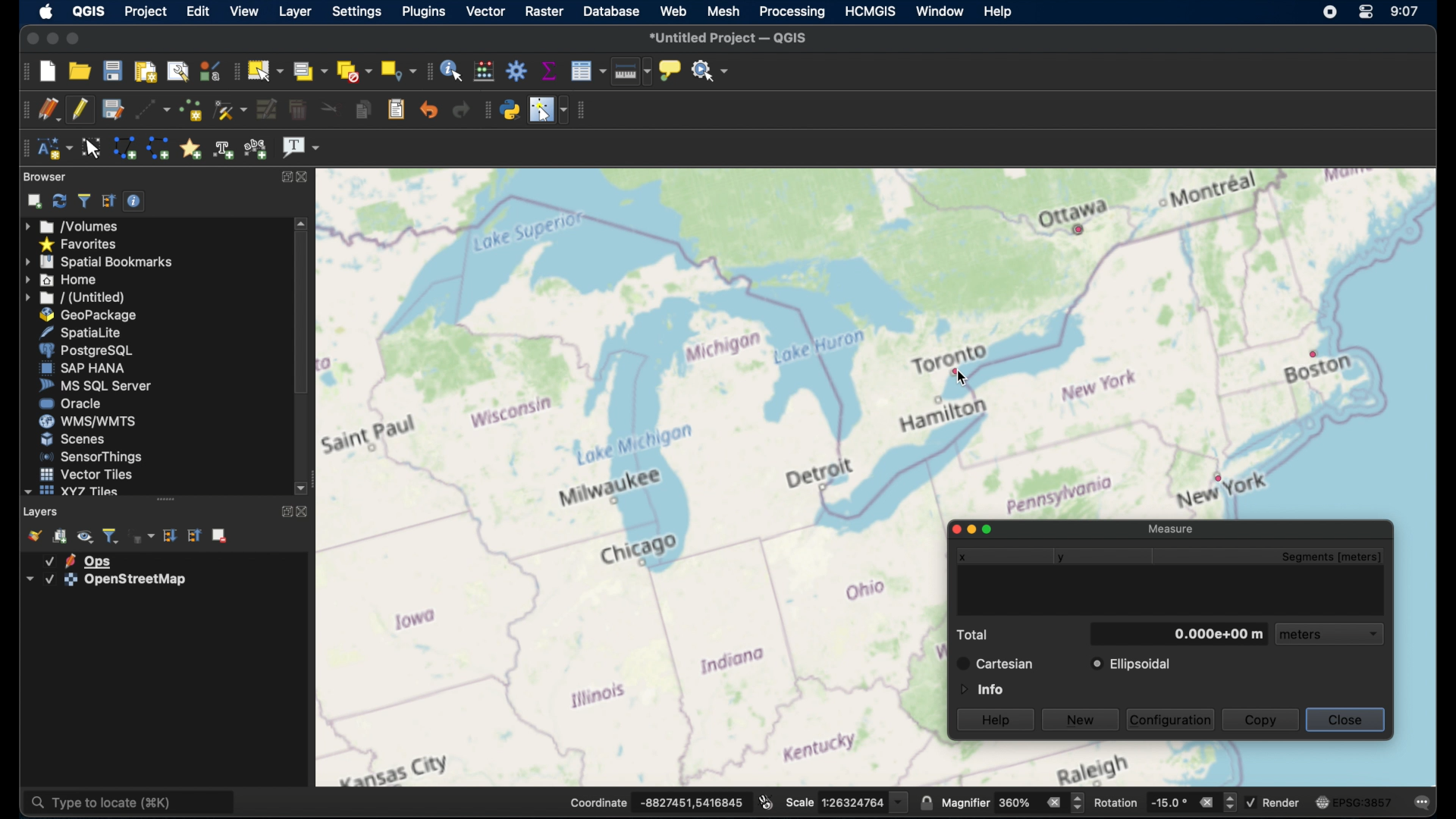 The height and width of the screenshot is (819, 1456). What do you see at coordinates (353, 71) in the screenshot?
I see `deselect features from all layers` at bounding box center [353, 71].